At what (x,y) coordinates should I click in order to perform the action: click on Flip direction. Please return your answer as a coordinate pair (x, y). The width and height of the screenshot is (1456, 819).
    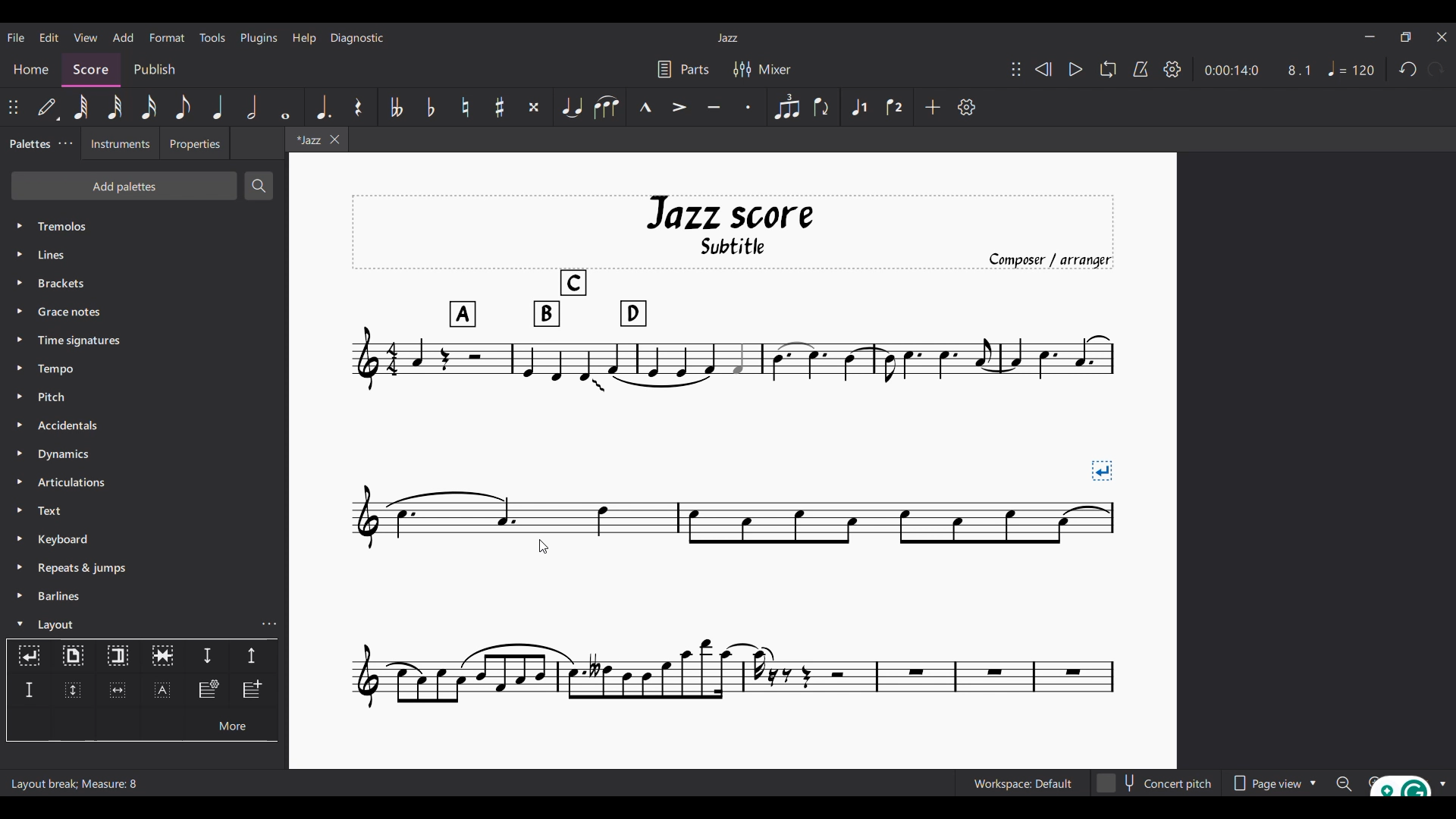
    Looking at the image, I should click on (821, 107).